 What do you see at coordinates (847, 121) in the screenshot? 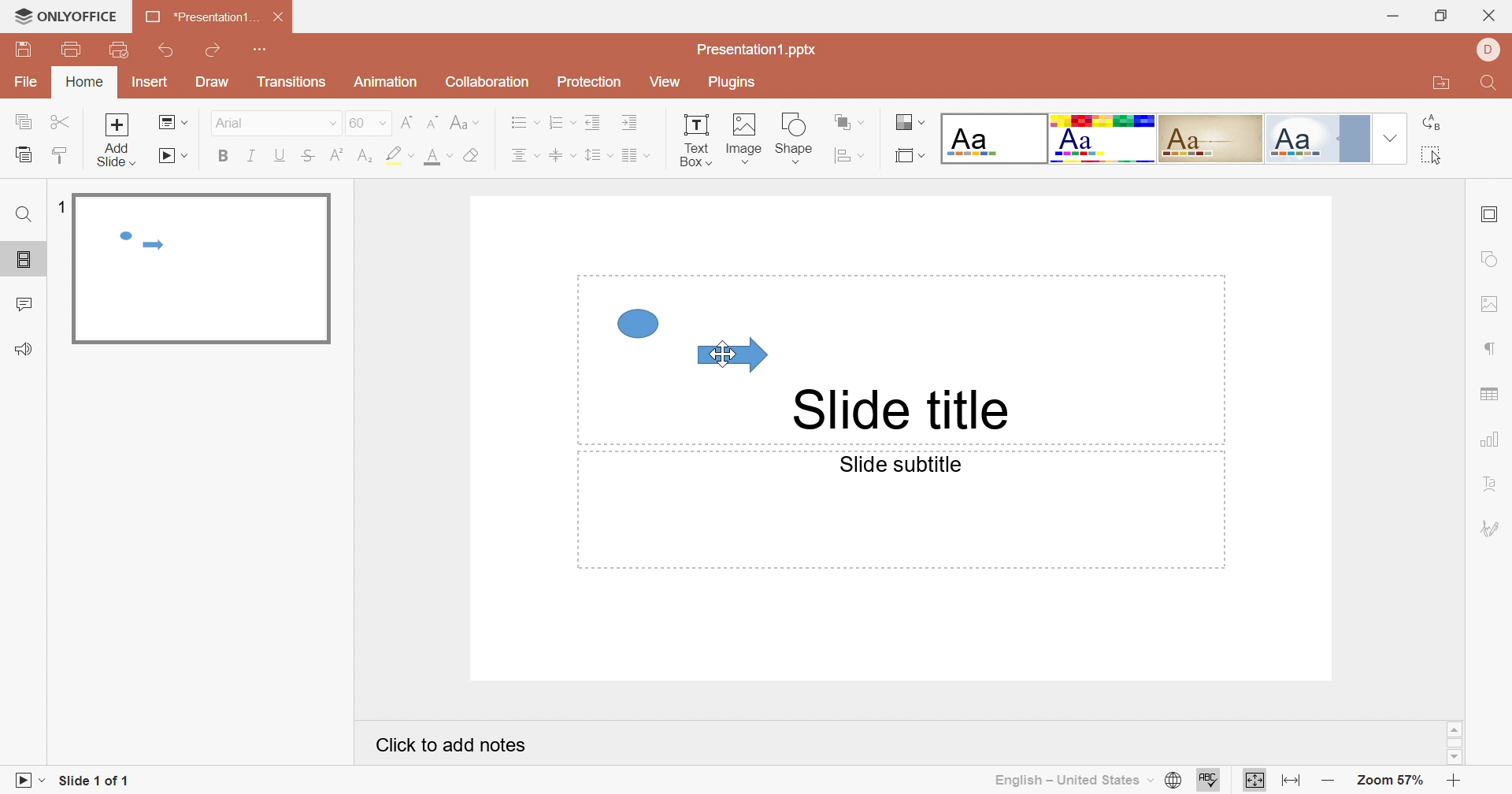
I see `Arrange shape` at bounding box center [847, 121].